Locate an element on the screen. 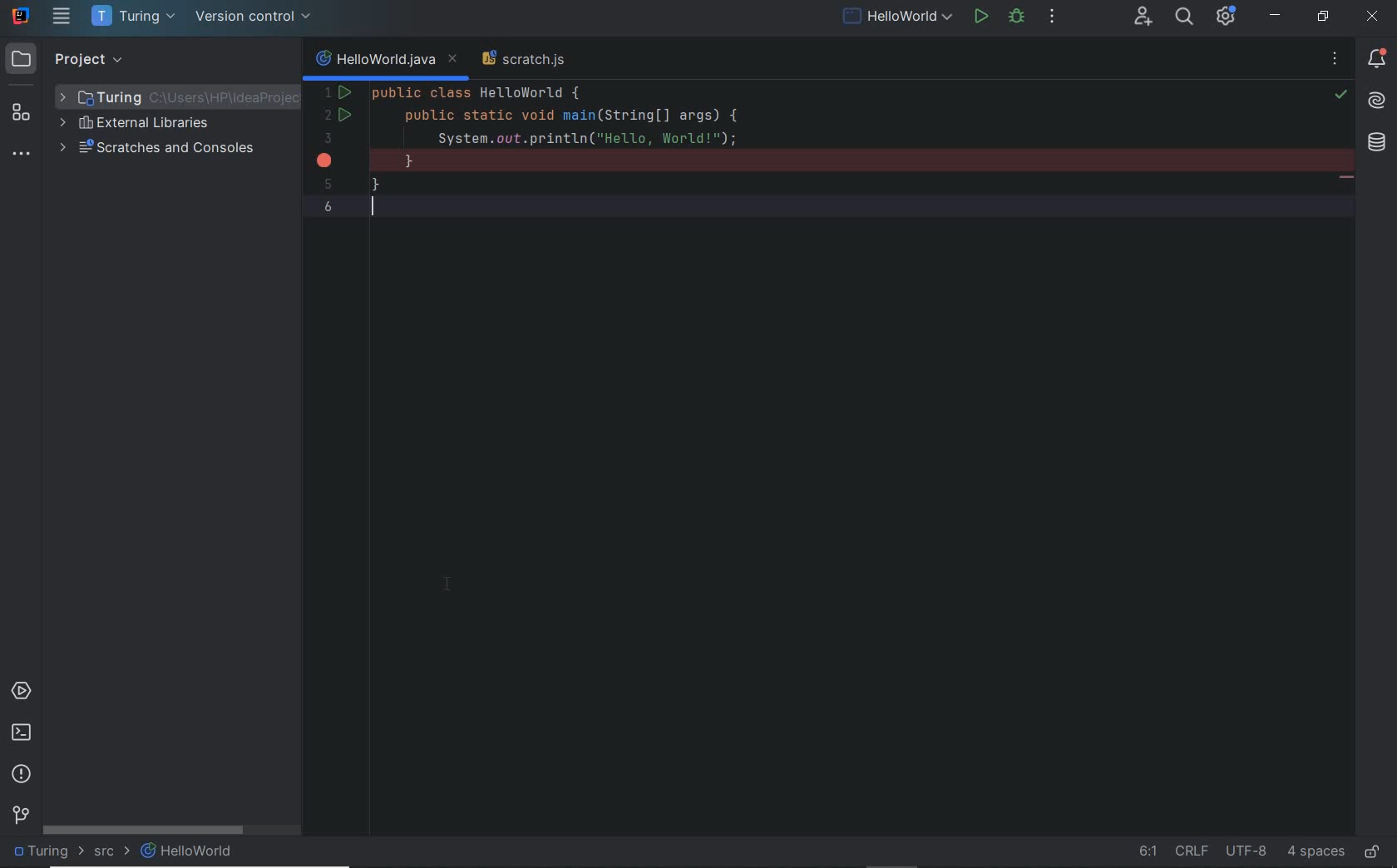 The height and width of the screenshot is (868, 1397). structure is located at coordinates (20, 113).